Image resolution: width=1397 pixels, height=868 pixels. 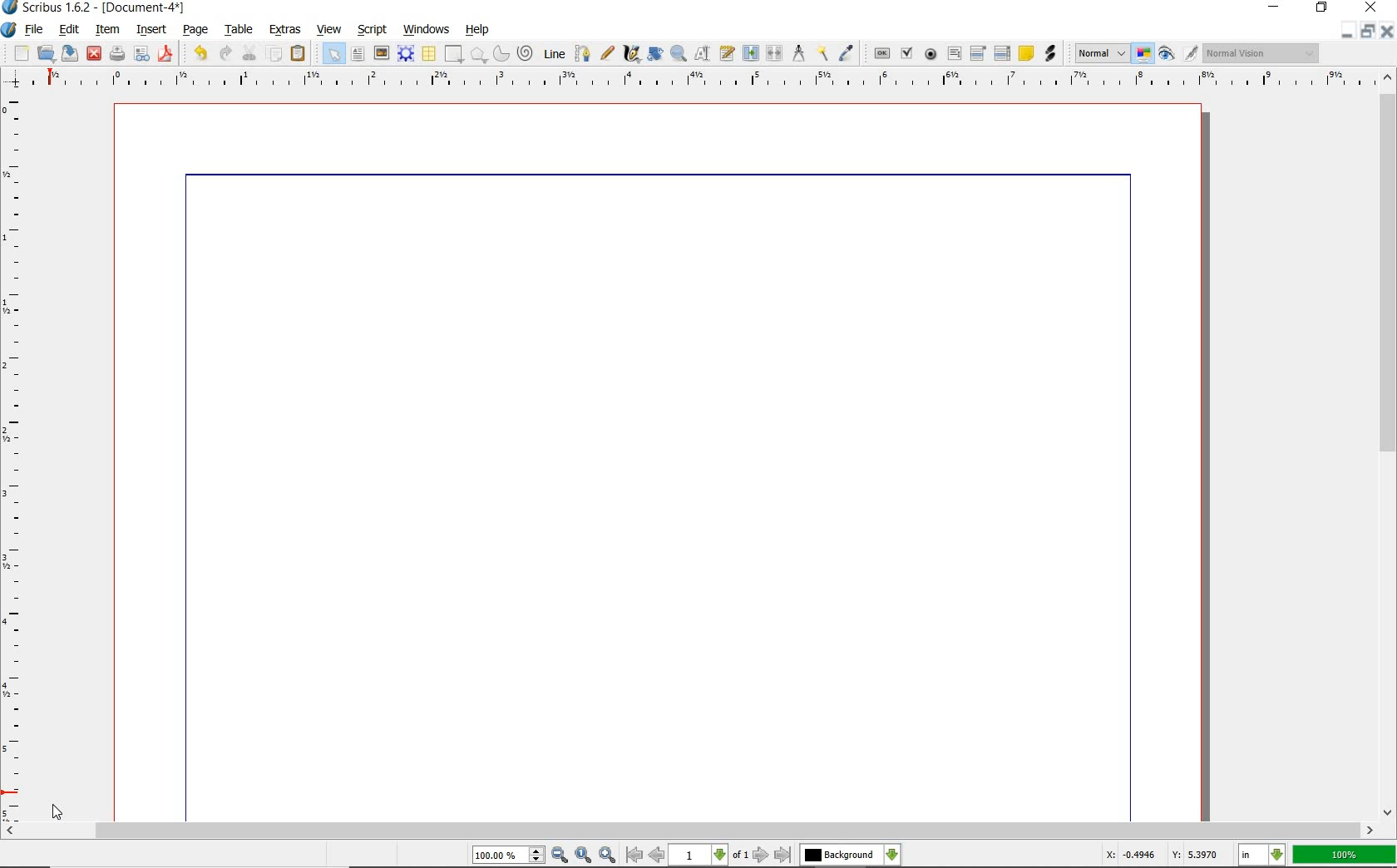 What do you see at coordinates (1389, 443) in the screenshot?
I see `scrollbar` at bounding box center [1389, 443].